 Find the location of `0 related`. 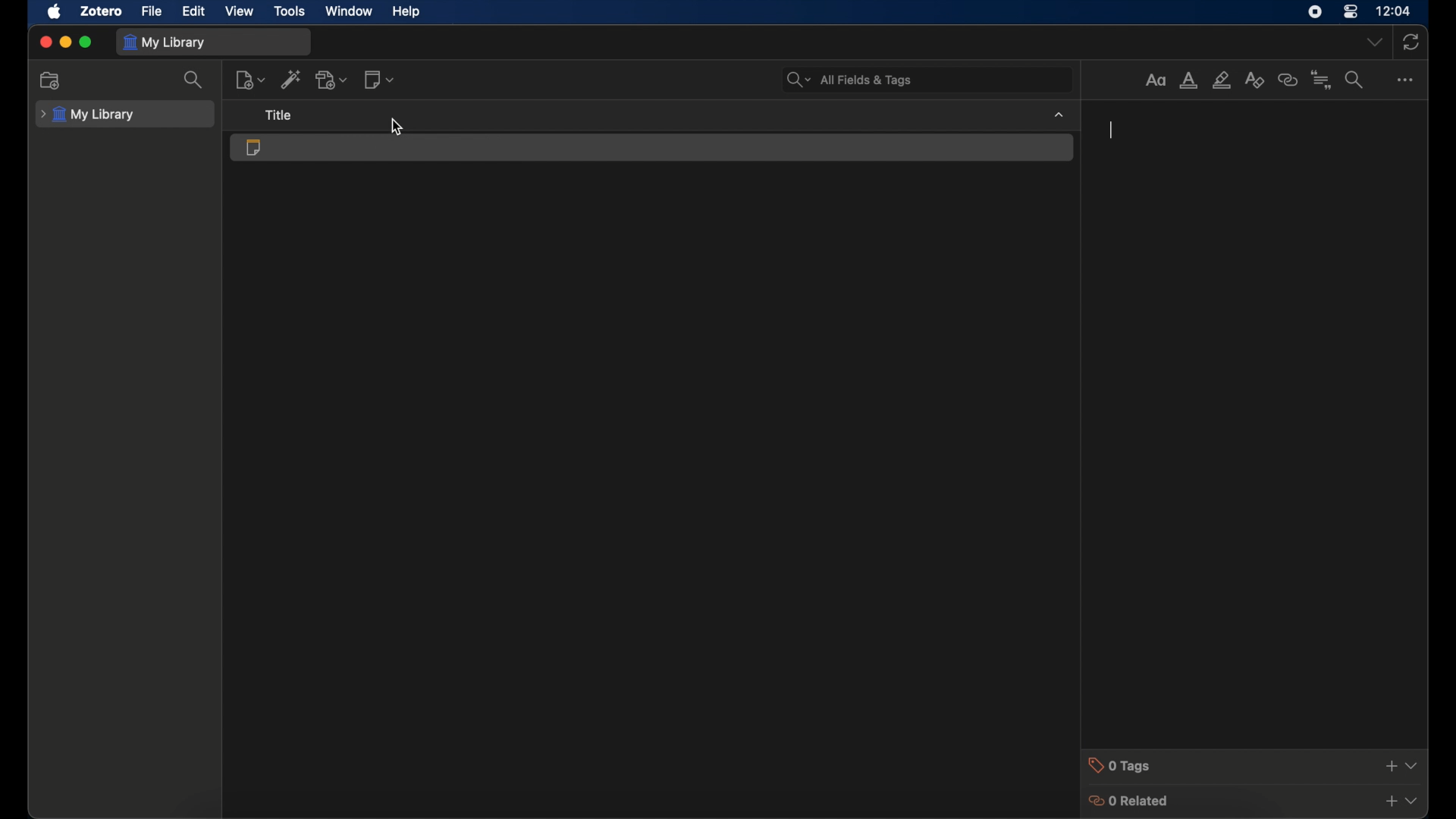

0 related is located at coordinates (1255, 802).